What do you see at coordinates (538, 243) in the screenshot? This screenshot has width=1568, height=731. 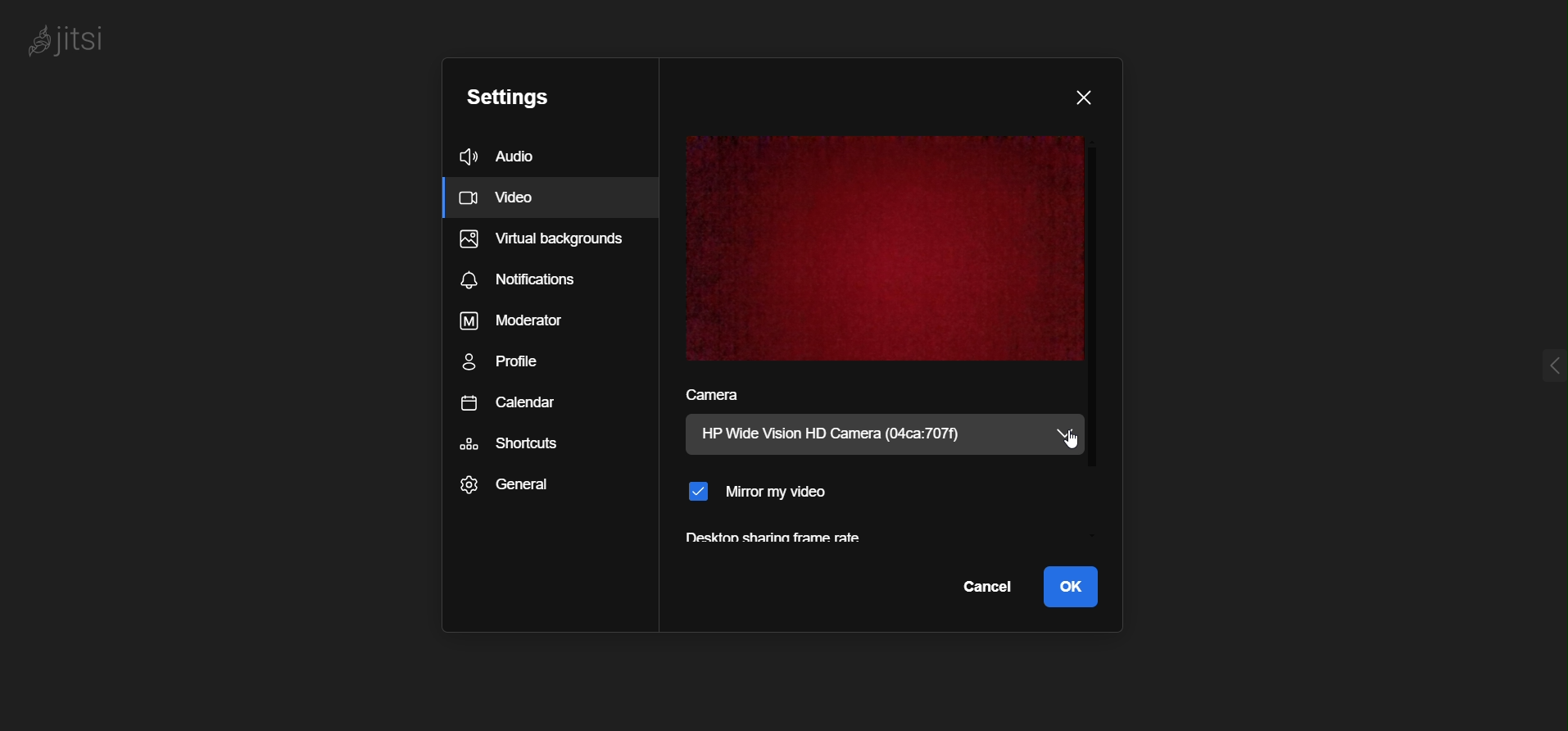 I see `virtual background` at bounding box center [538, 243].